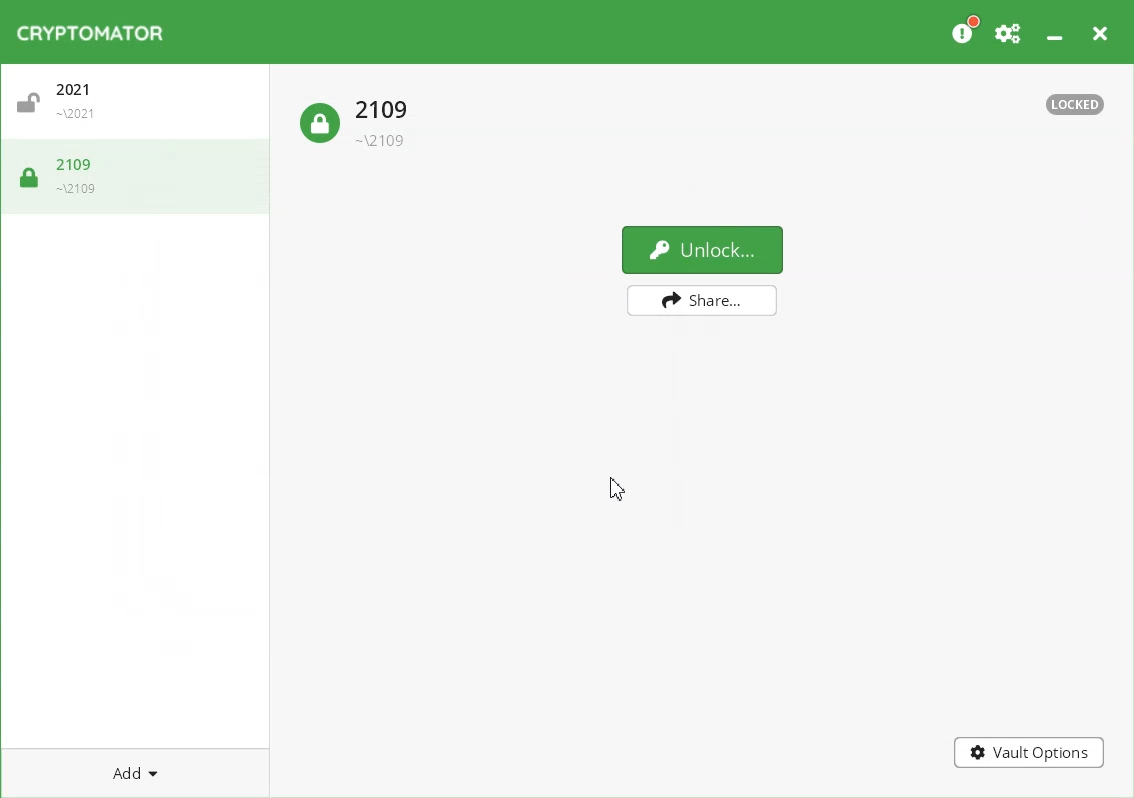 The height and width of the screenshot is (798, 1134). I want to click on Vault Options, so click(1031, 754).